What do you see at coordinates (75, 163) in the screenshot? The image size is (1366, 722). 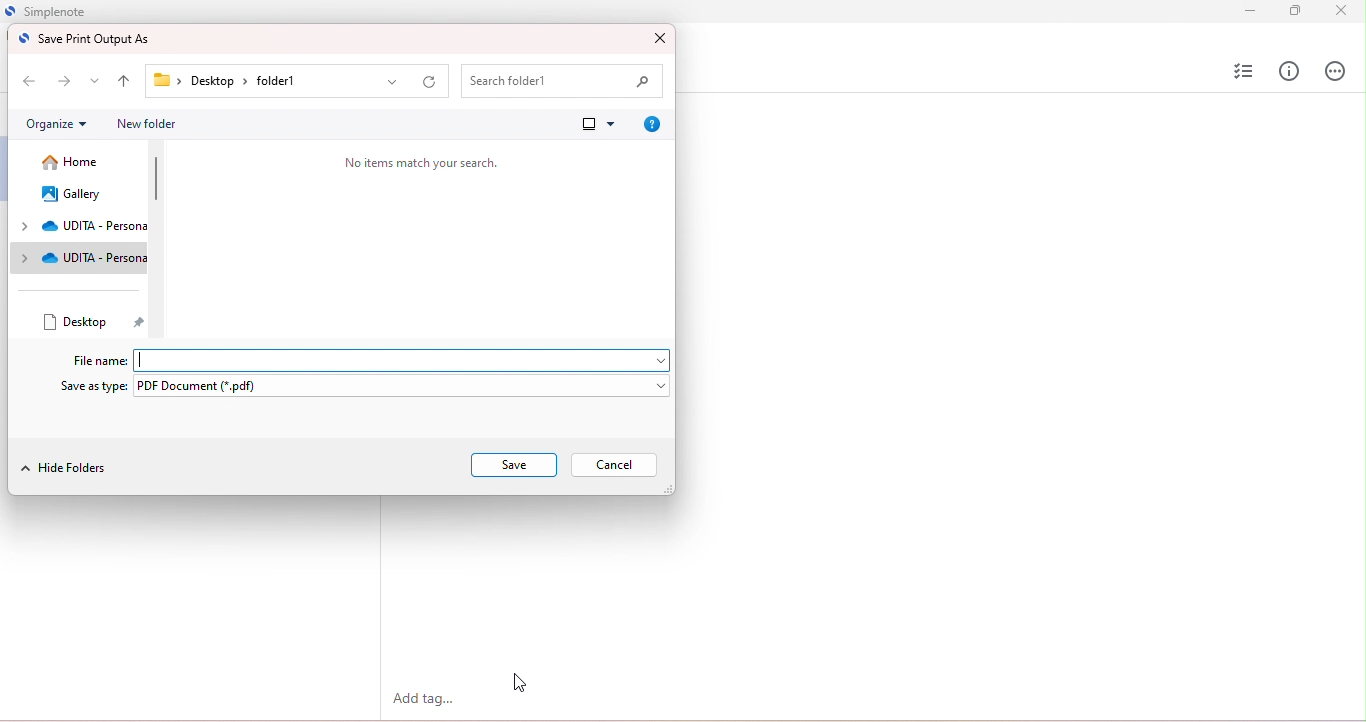 I see `home` at bounding box center [75, 163].